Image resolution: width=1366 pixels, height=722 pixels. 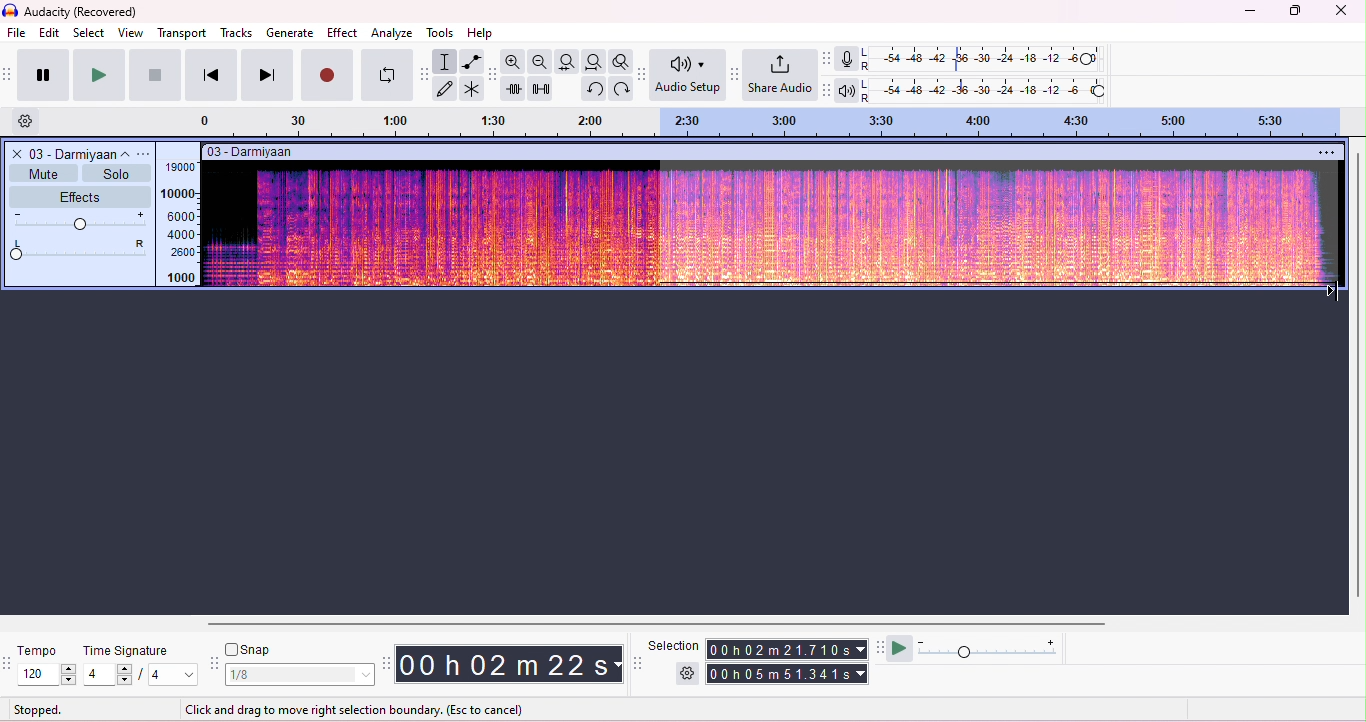 I want to click on generate, so click(x=290, y=32).